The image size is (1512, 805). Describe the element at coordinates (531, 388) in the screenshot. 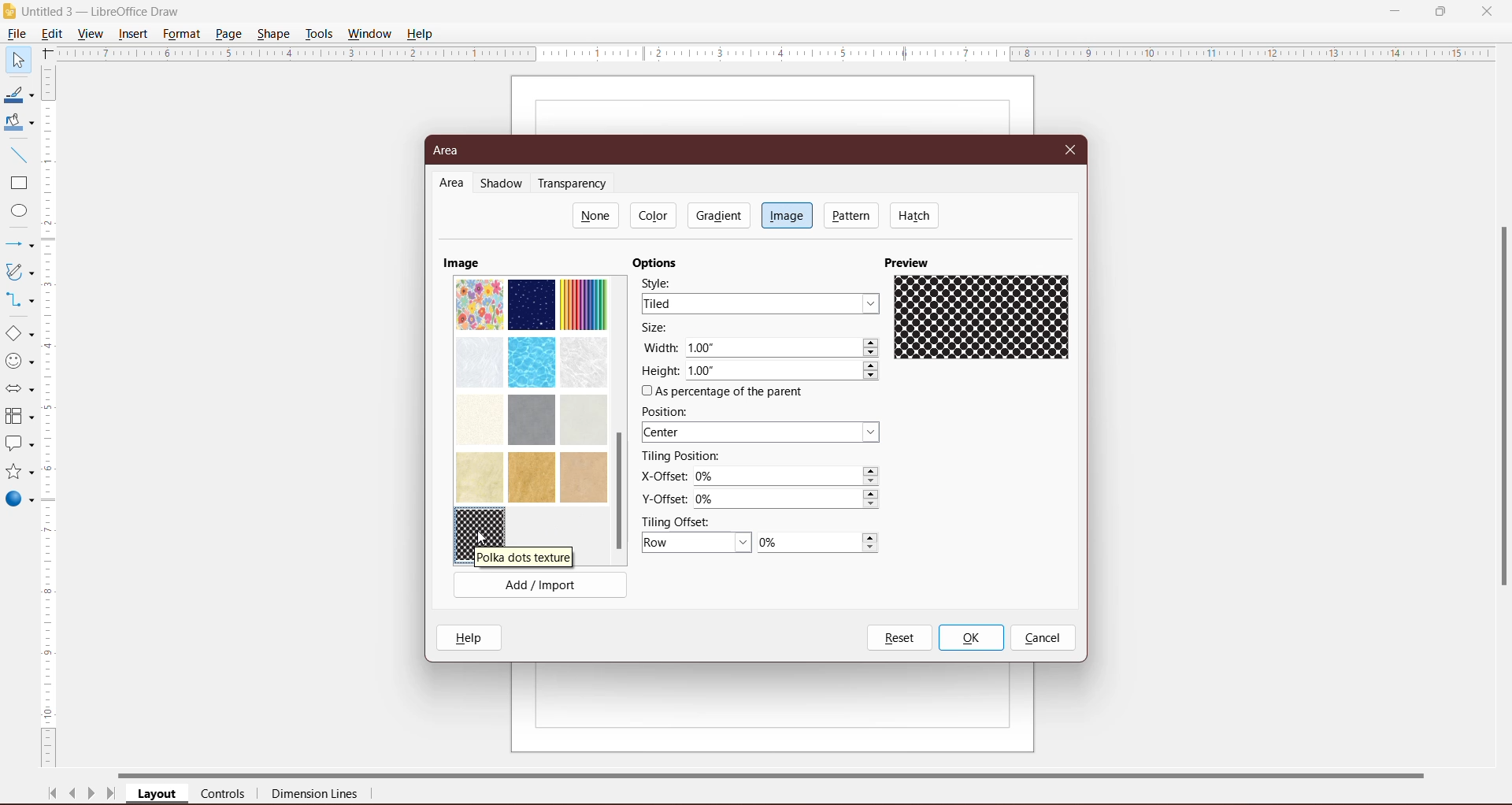

I see `More Texture/images available` at that location.